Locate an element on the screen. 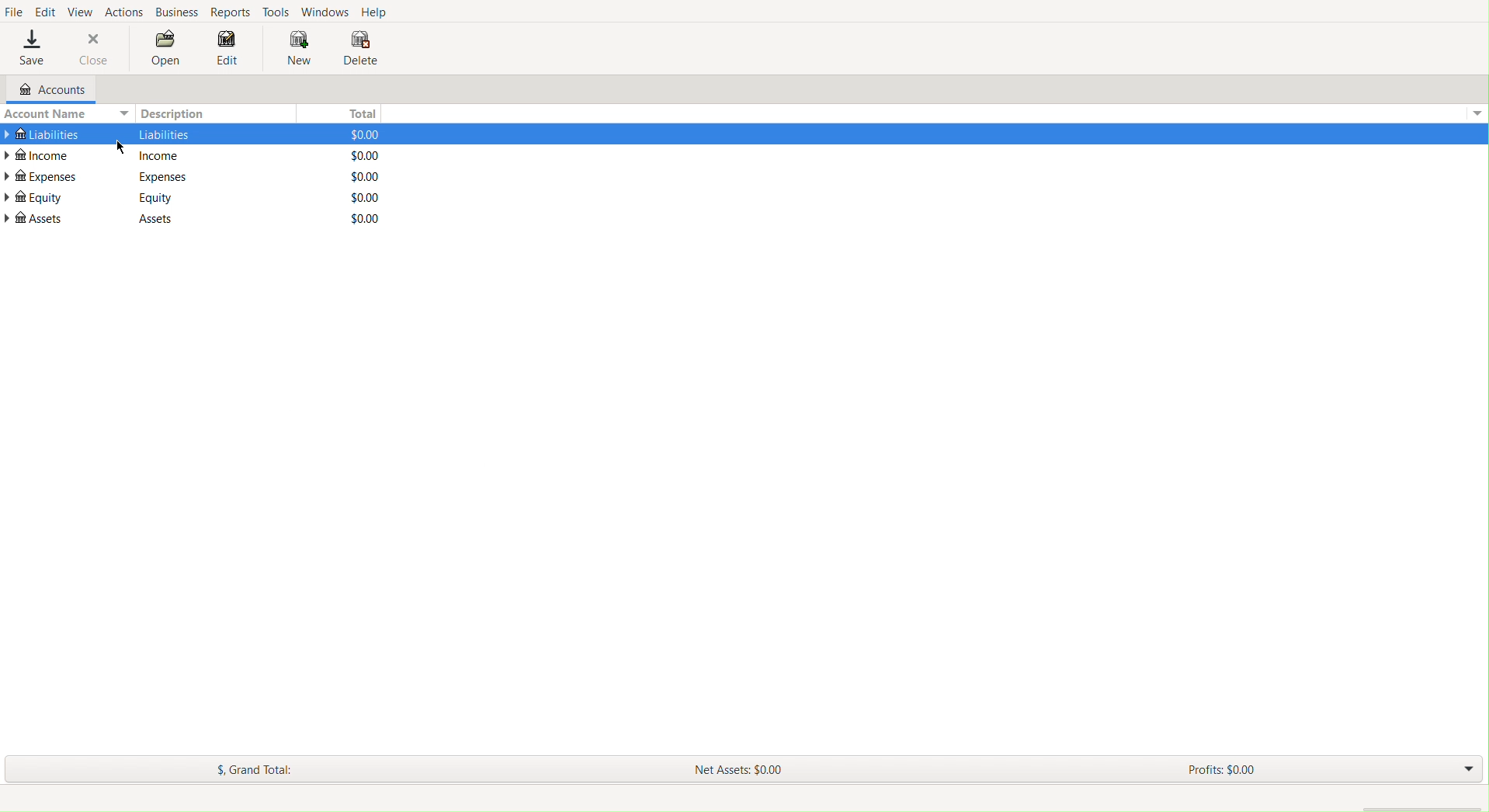 The image size is (1489, 812). Expenses is located at coordinates (161, 176).